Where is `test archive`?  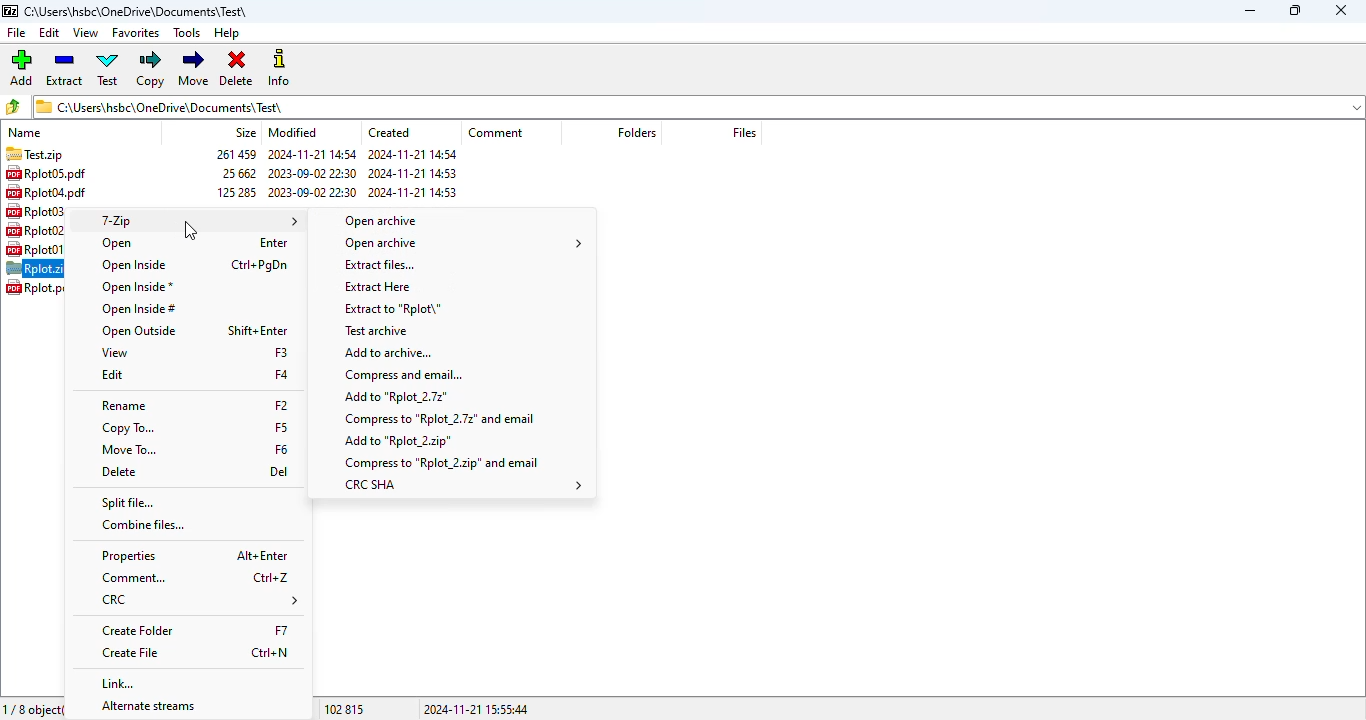 test archive is located at coordinates (377, 332).